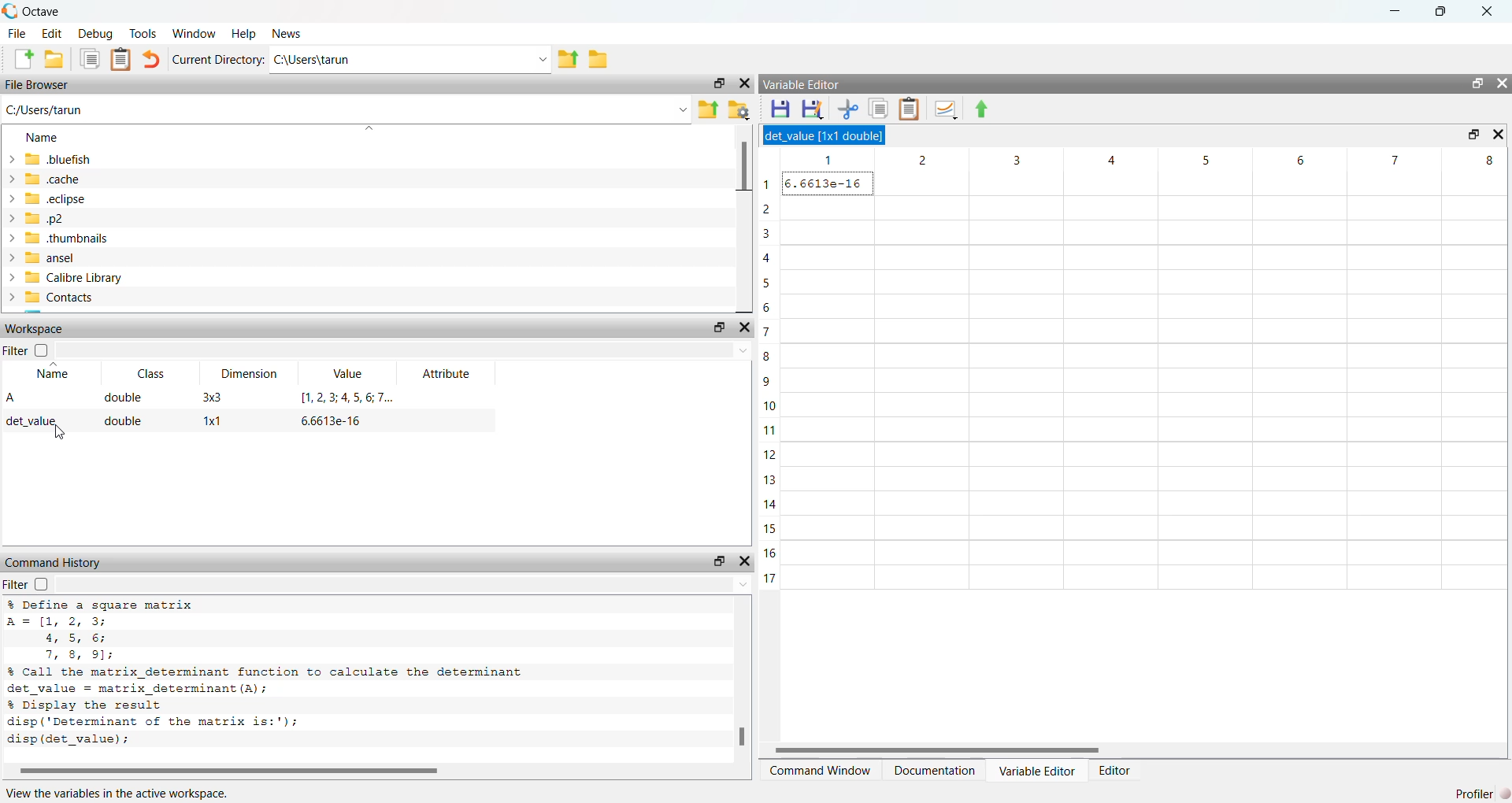 Image resolution: width=1512 pixels, height=803 pixels. Describe the element at coordinates (50, 200) in the screenshot. I see `eclipse` at that location.